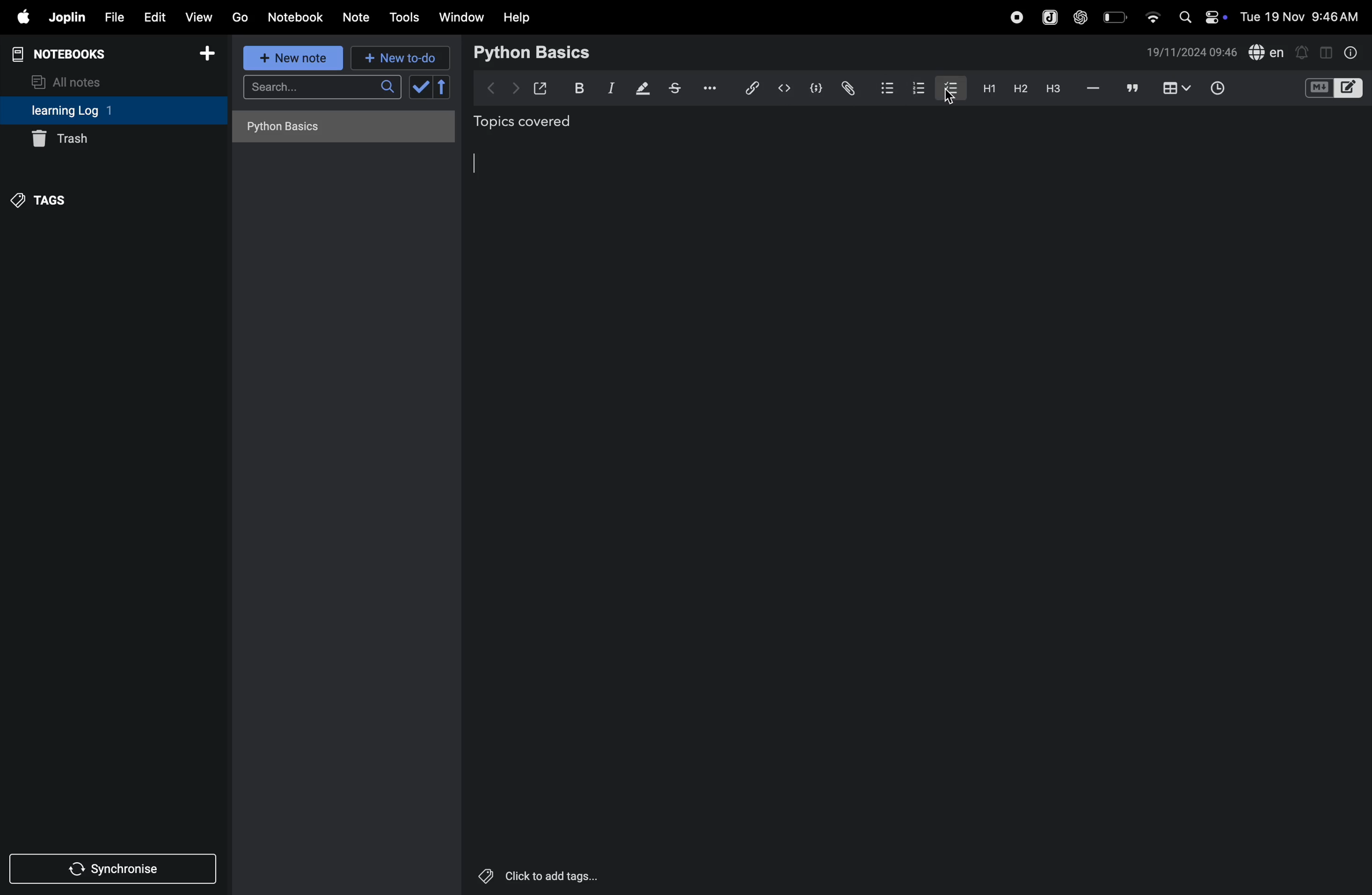 The height and width of the screenshot is (895, 1372). Describe the element at coordinates (42, 198) in the screenshot. I see `tags` at that location.